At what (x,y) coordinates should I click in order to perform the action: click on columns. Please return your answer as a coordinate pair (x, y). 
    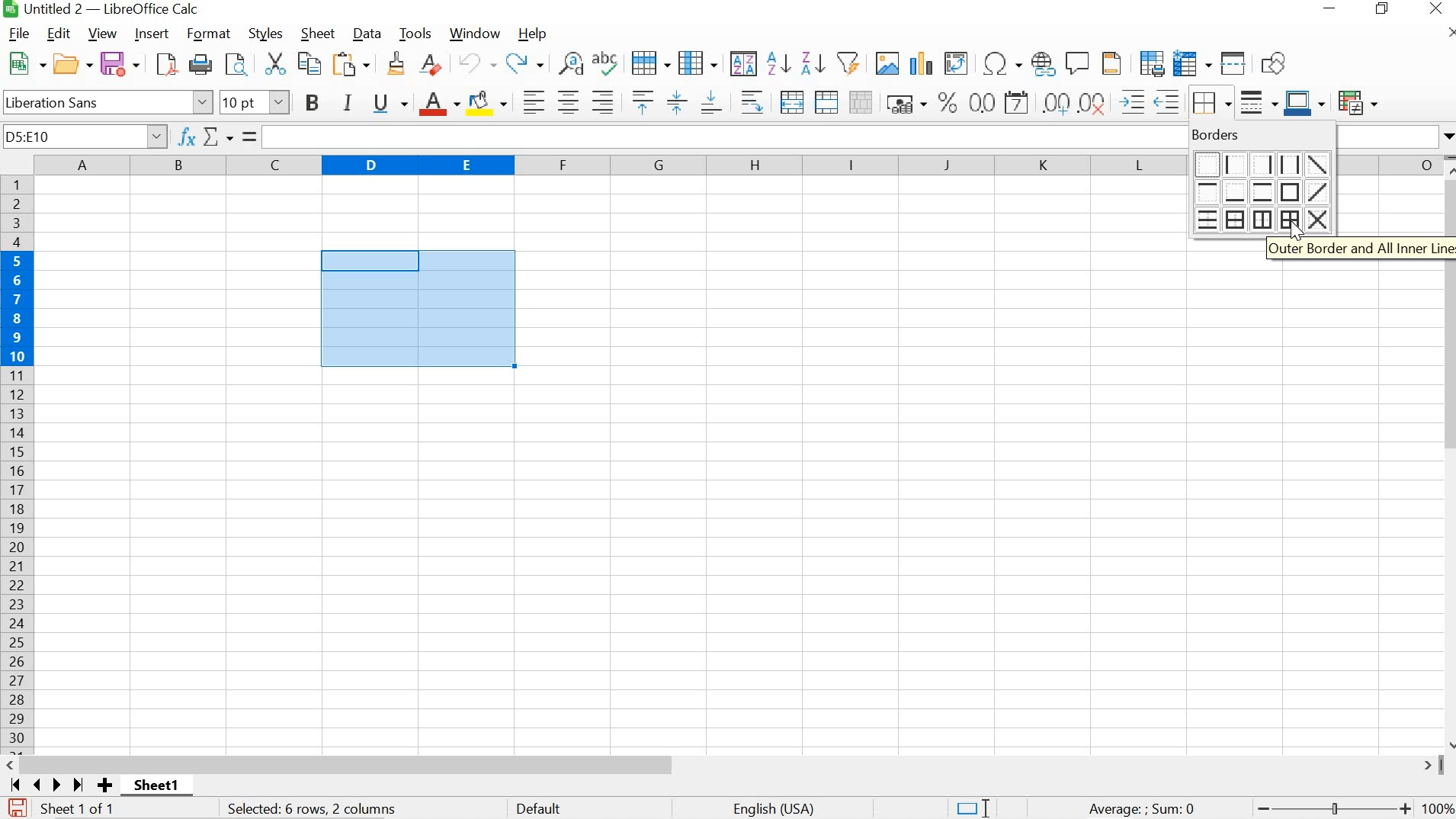
    Looking at the image, I should click on (610, 164).